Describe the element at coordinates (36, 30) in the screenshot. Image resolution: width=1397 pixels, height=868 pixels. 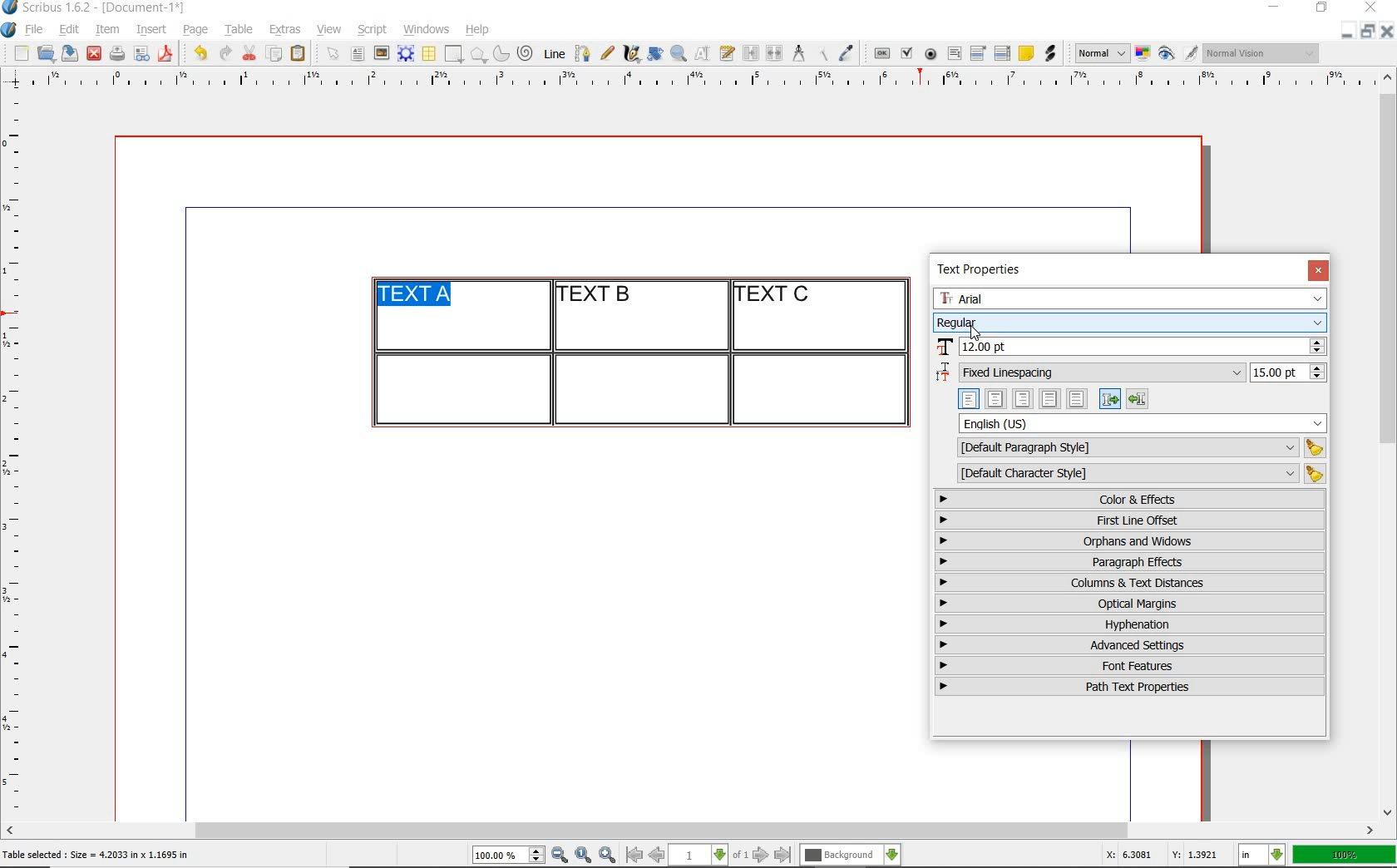
I see `file` at that location.